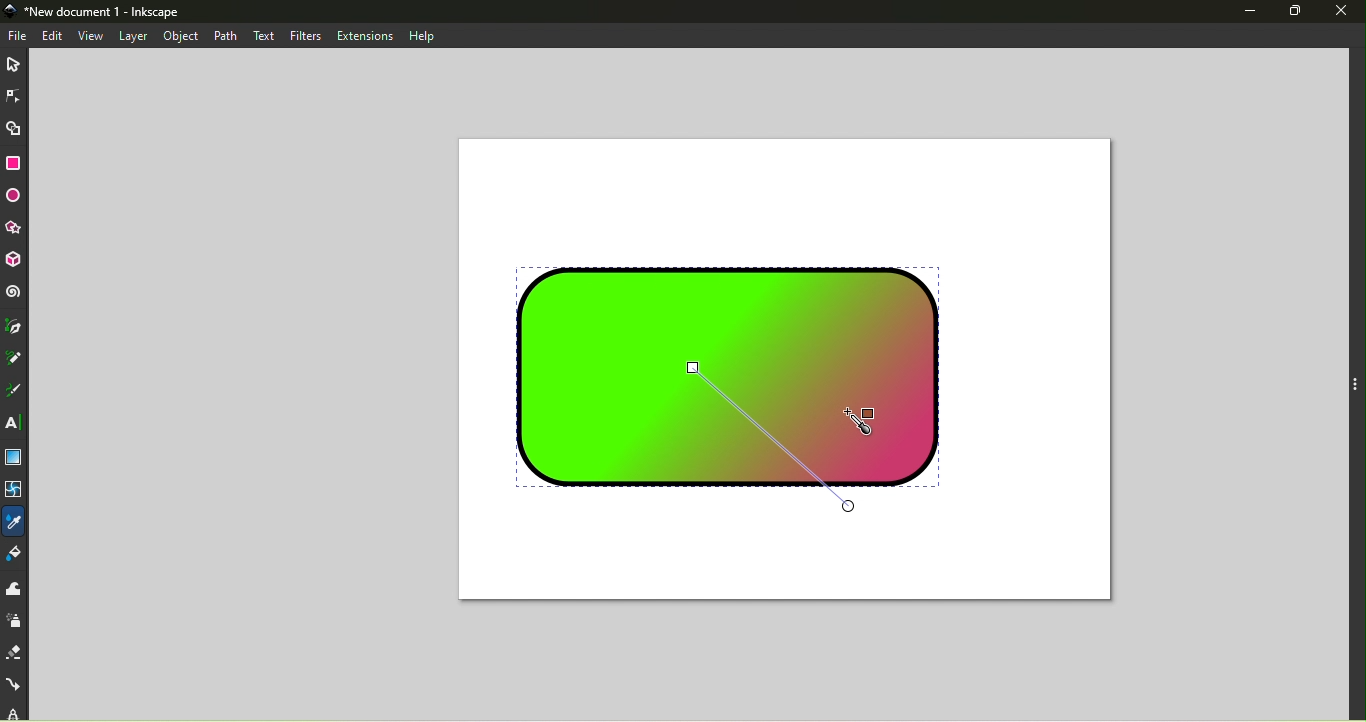 The image size is (1366, 722). I want to click on Pencil, so click(16, 360).